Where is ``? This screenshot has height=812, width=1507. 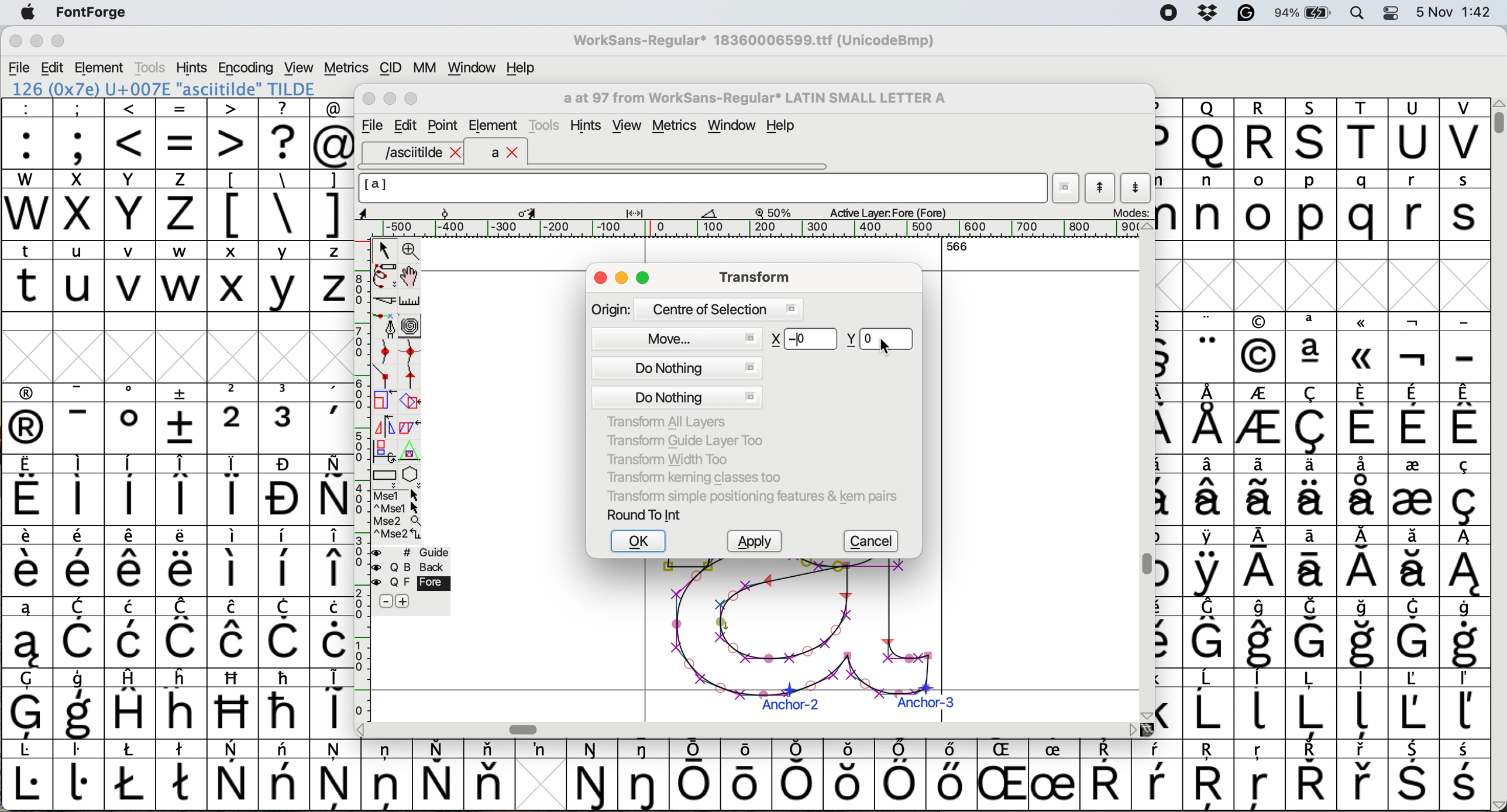  is located at coordinates (1208, 133).